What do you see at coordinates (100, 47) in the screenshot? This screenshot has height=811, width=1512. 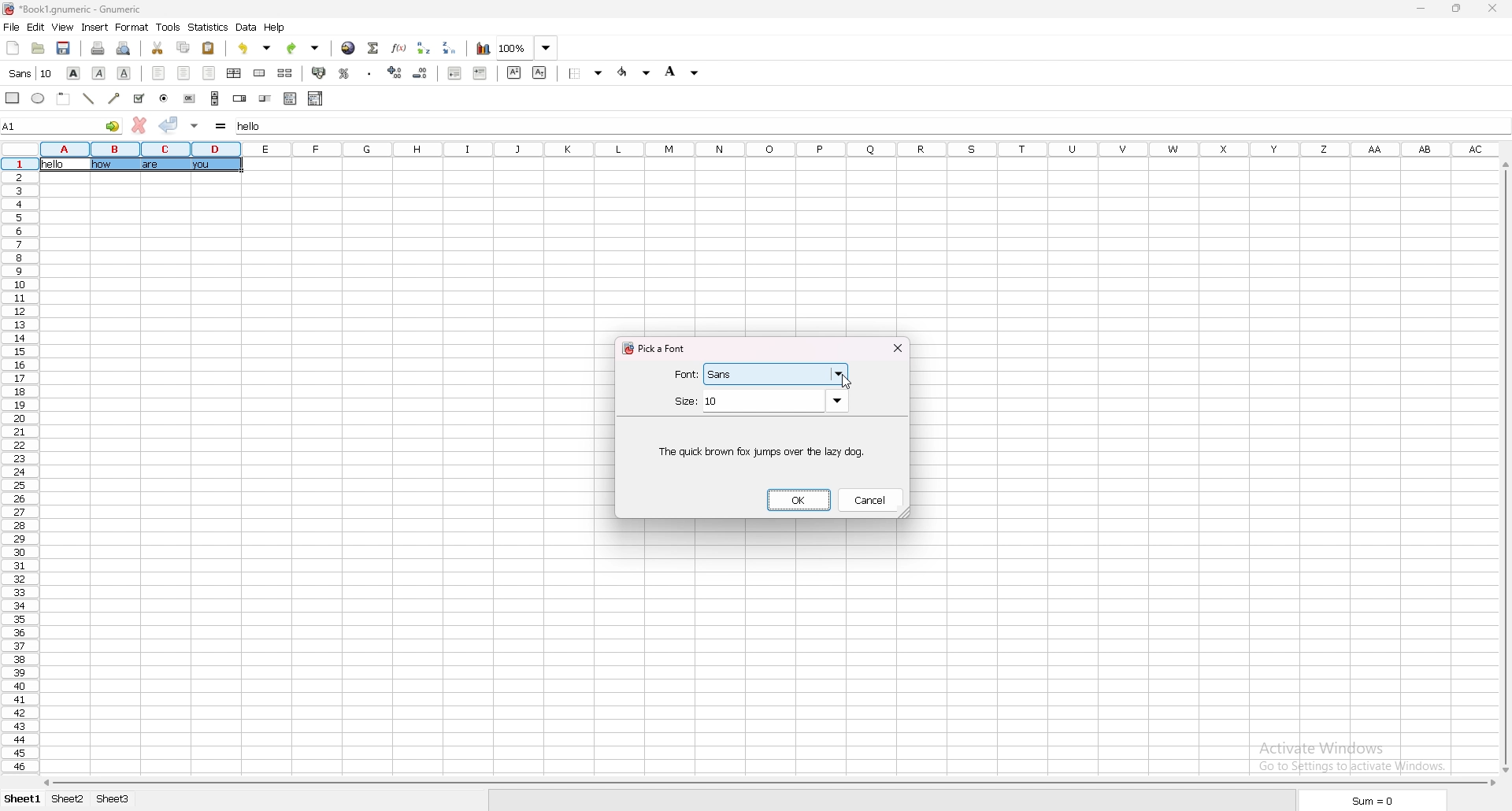 I see `print` at bounding box center [100, 47].